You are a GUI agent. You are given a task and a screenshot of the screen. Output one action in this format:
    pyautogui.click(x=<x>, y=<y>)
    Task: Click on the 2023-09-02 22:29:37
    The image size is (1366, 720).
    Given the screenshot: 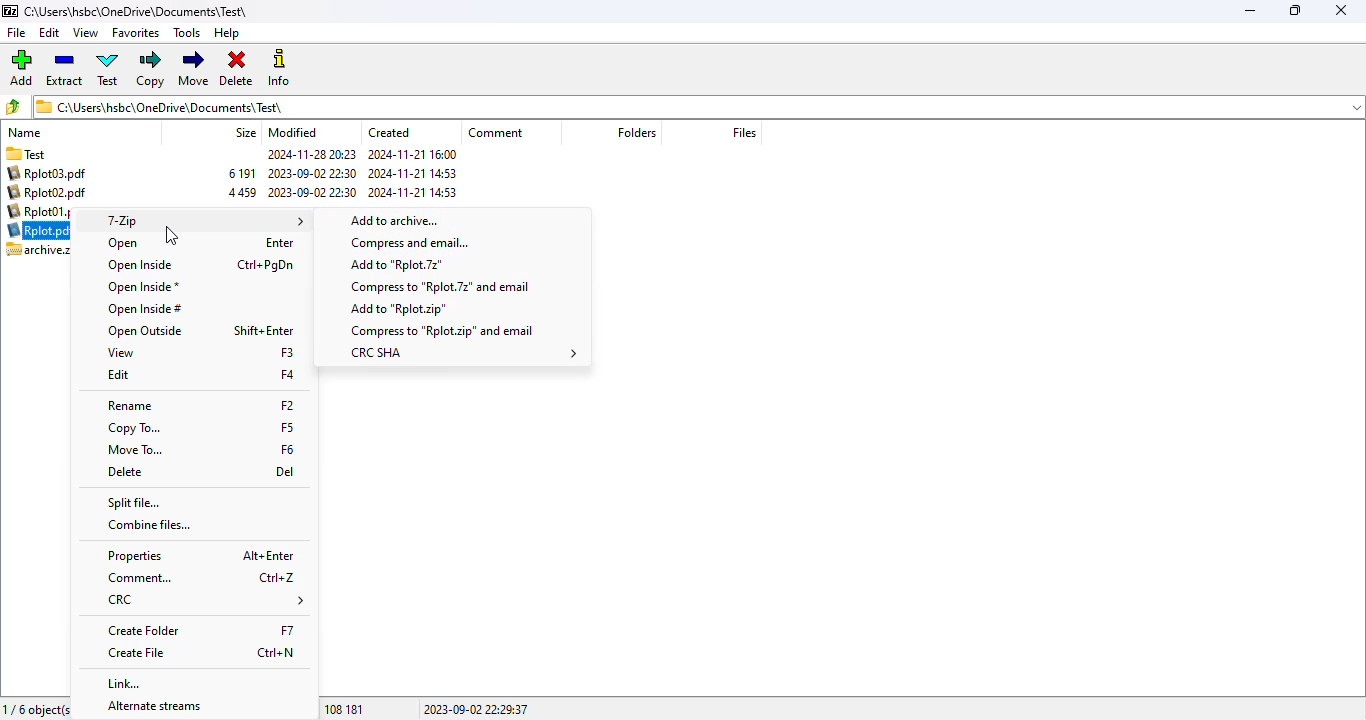 What is the action you would take?
    pyautogui.click(x=476, y=708)
    